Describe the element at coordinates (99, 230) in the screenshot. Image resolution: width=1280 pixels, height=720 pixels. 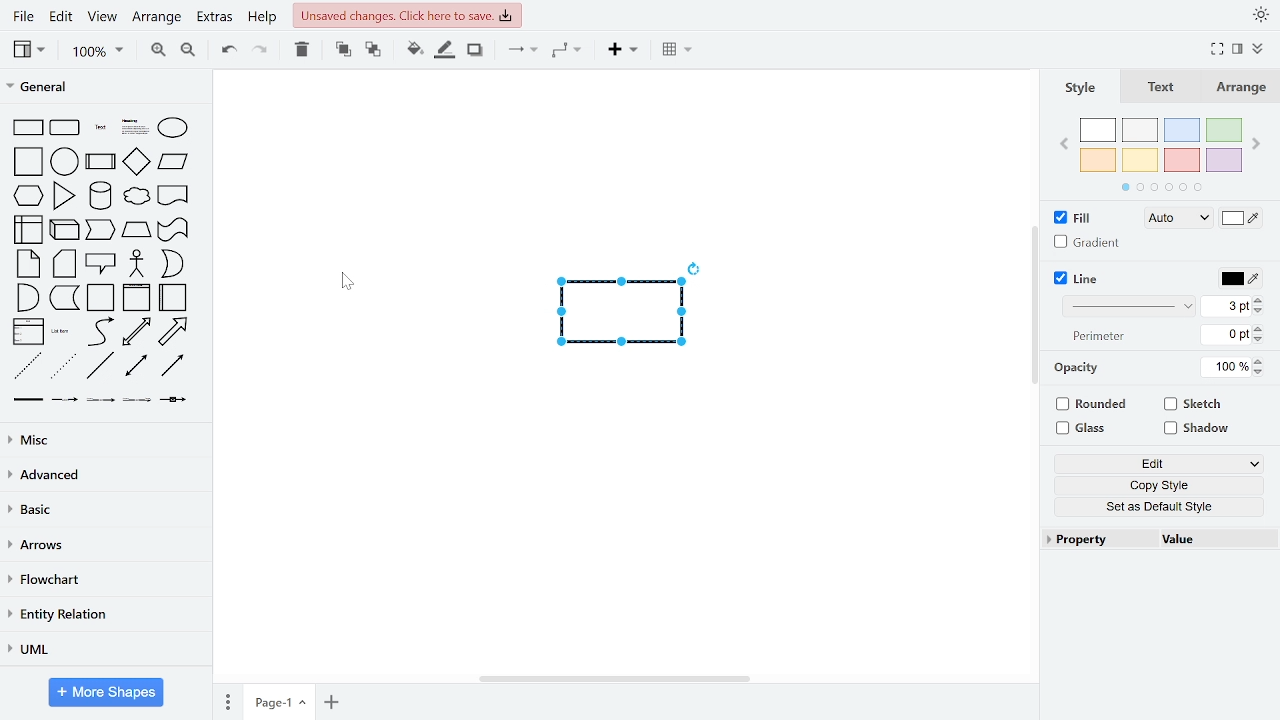
I see `general shapes` at that location.